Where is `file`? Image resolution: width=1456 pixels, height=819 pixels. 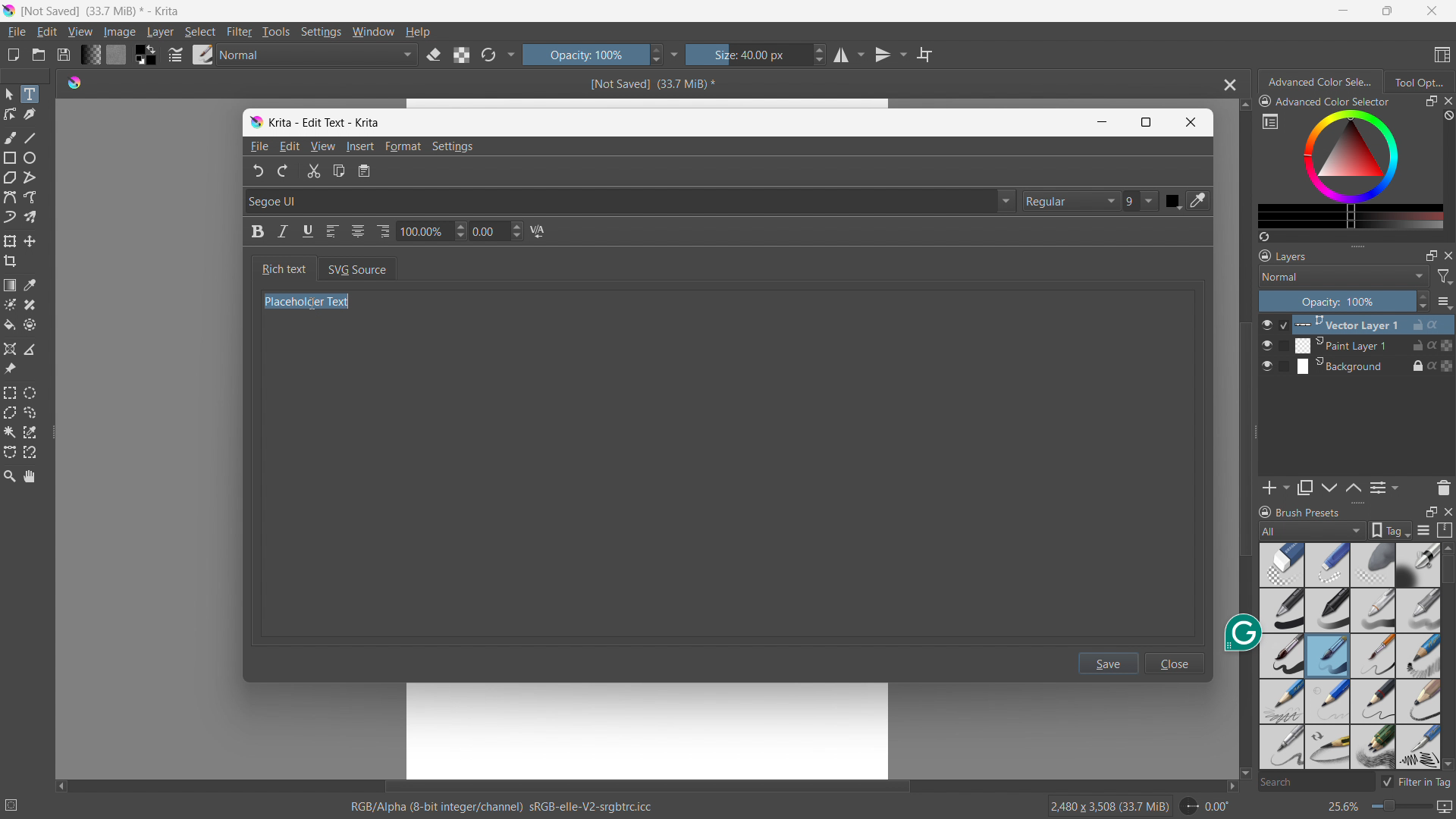 file is located at coordinates (16, 32).